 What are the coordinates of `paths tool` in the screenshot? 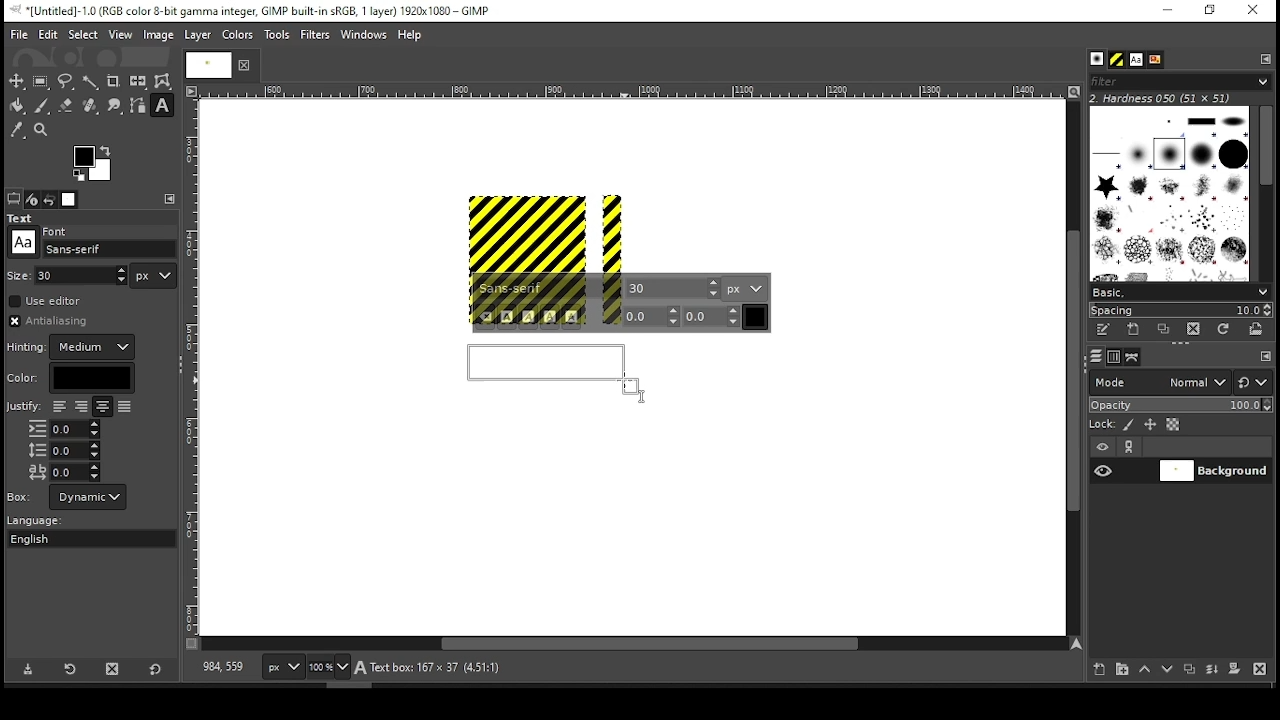 It's located at (139, 107).